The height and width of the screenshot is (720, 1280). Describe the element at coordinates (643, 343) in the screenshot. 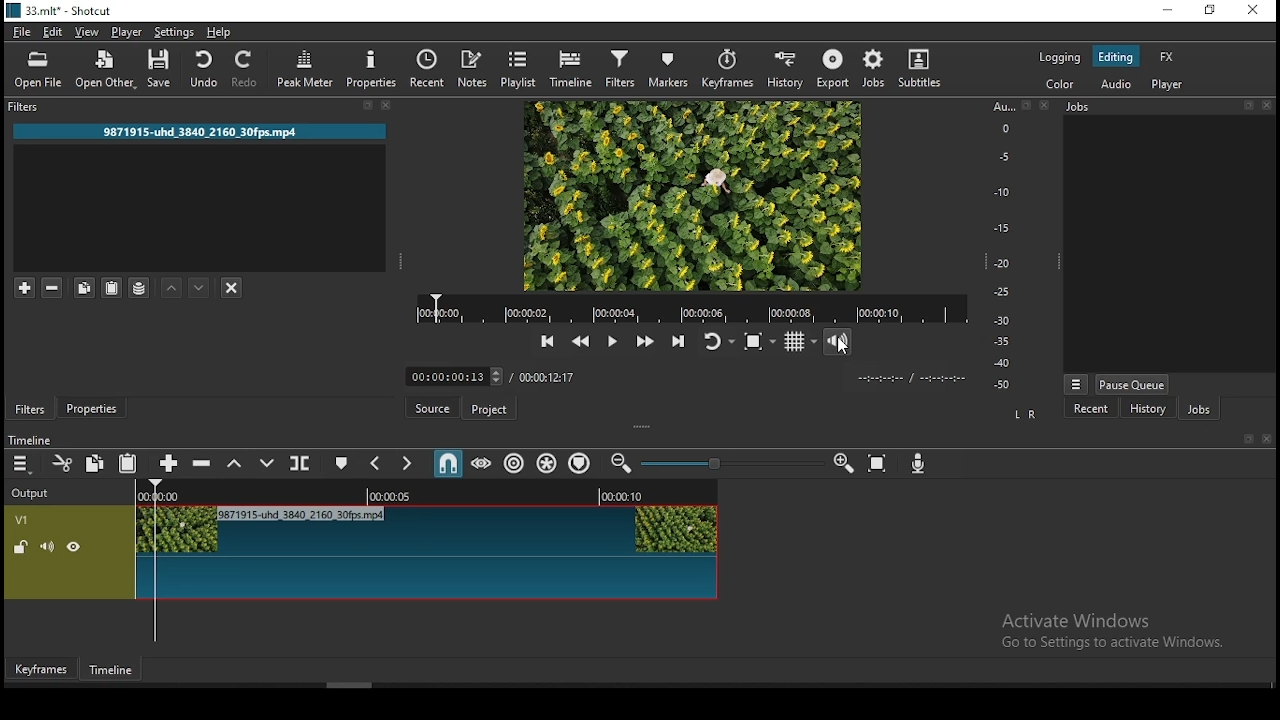

I see `play quickly forward` at that location.